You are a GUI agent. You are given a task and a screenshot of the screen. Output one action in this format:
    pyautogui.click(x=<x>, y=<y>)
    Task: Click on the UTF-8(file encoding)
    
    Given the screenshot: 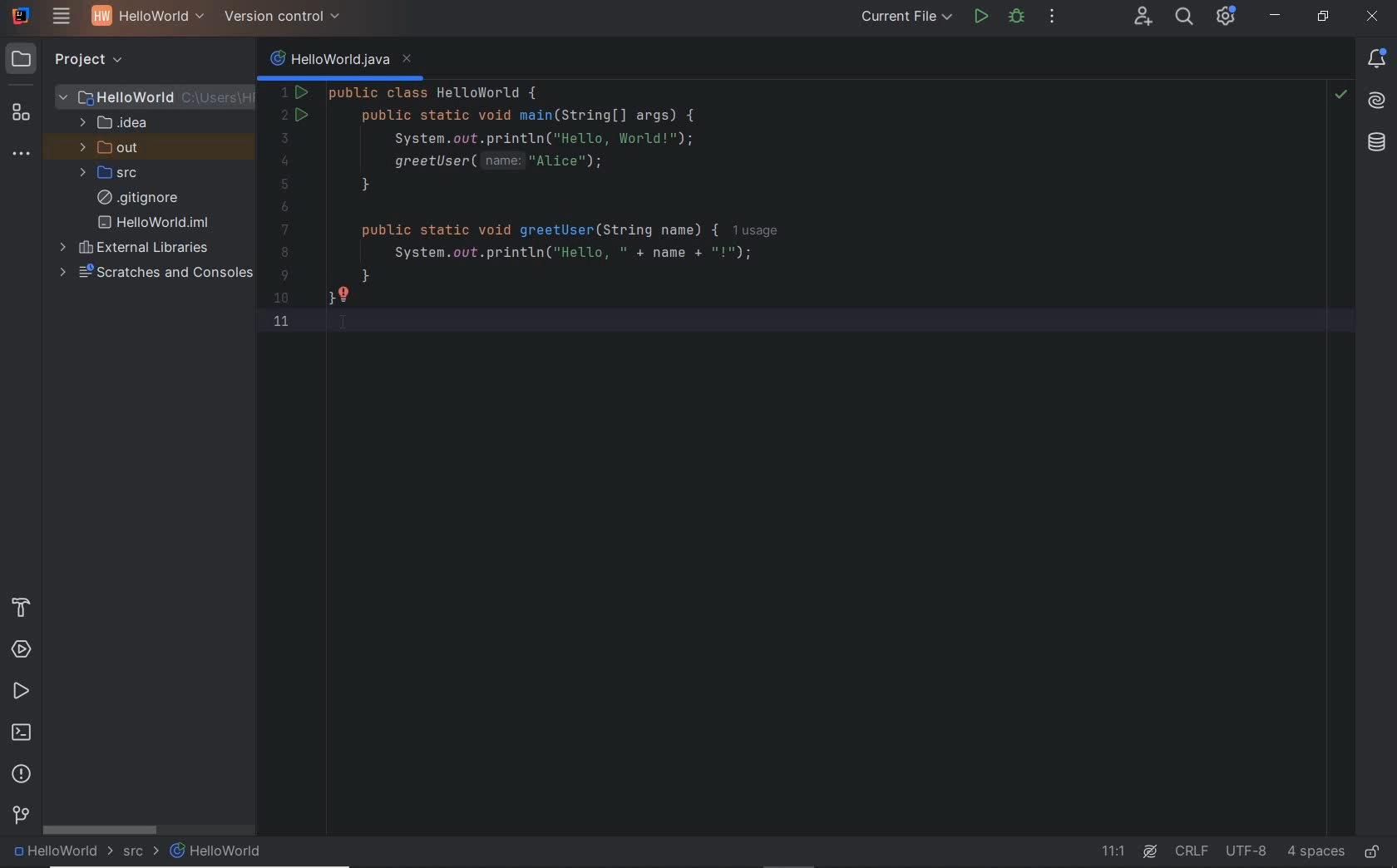 What is the action you would take?
    pyautogui.click(x=1250, y=851)
    